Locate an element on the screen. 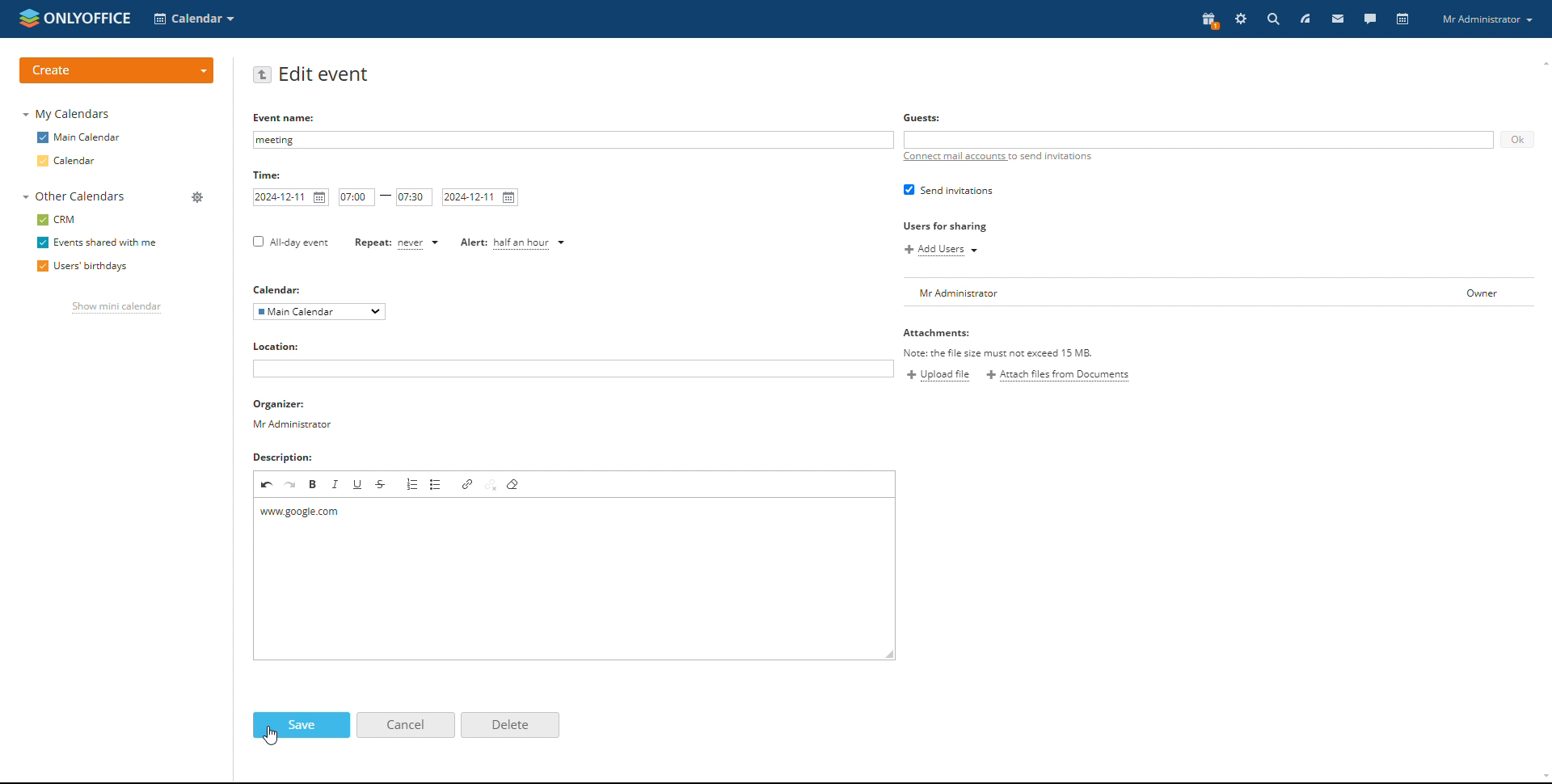 This screenshot has height=784, width=1552. logo is located at coordinates (74, 16).